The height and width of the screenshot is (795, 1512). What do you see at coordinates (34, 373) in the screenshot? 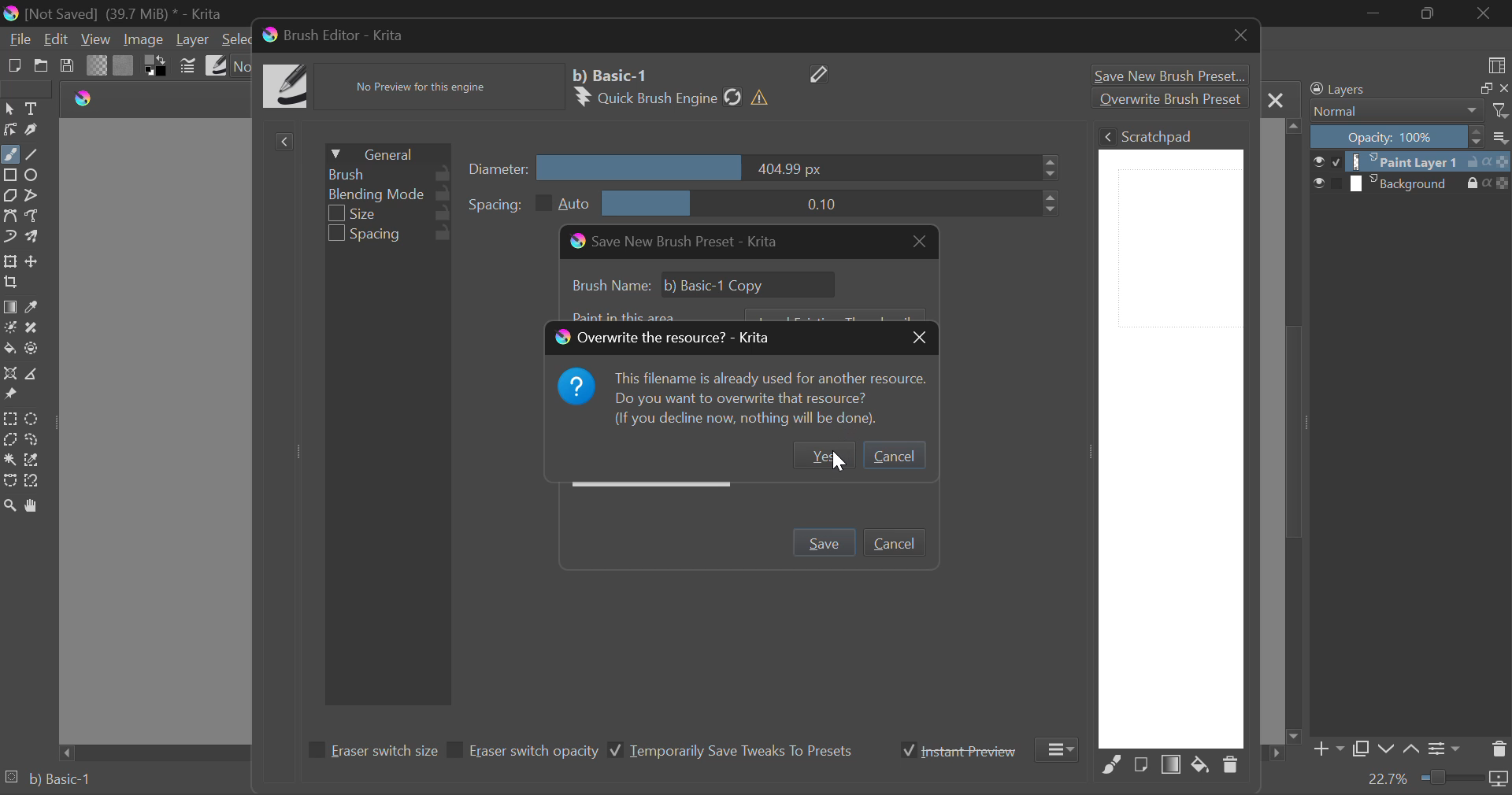
I see `Measurement` at bounding box center [34, 373].